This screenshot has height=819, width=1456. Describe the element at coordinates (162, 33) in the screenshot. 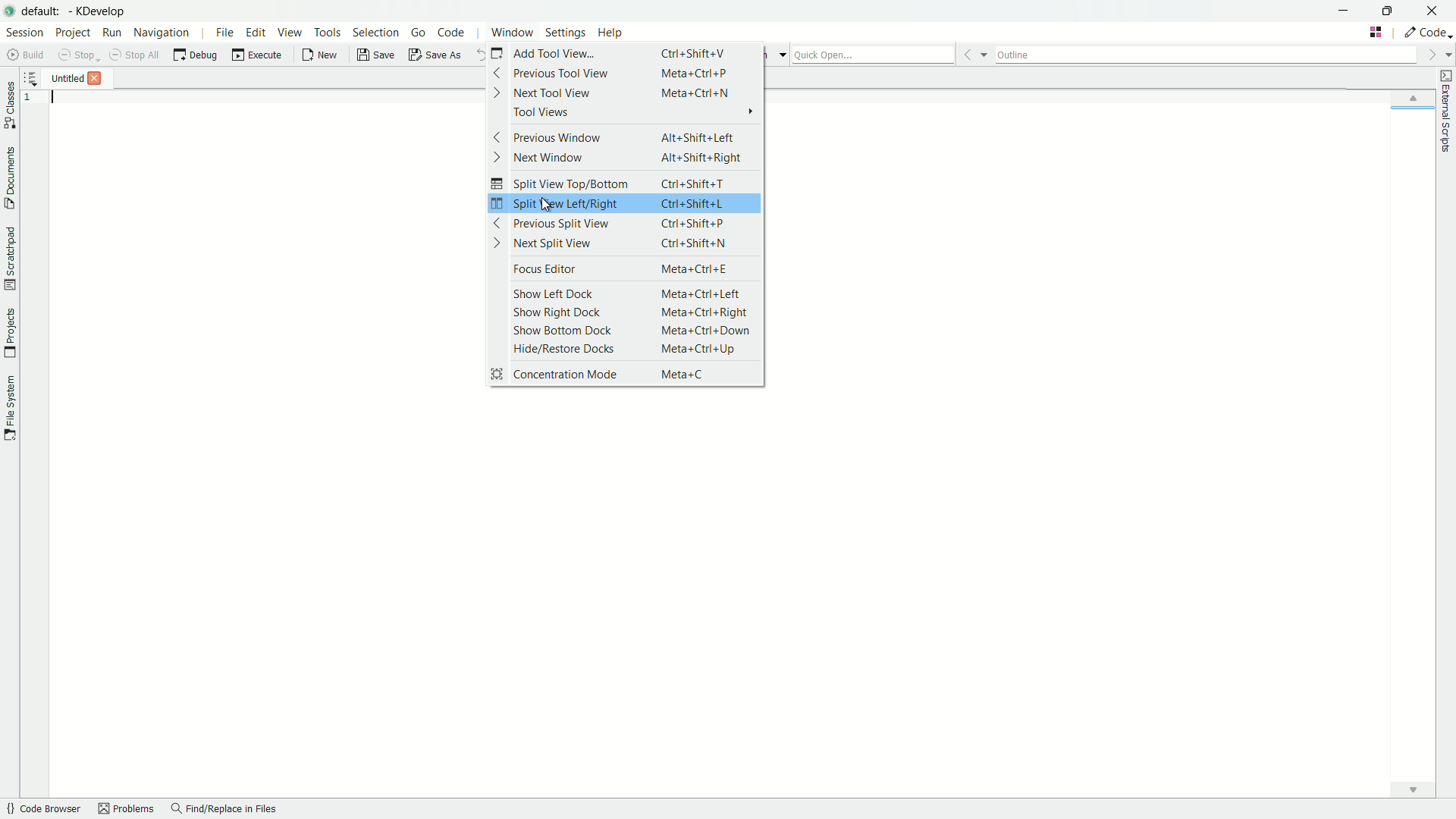

I see `navigation menu` at that location.